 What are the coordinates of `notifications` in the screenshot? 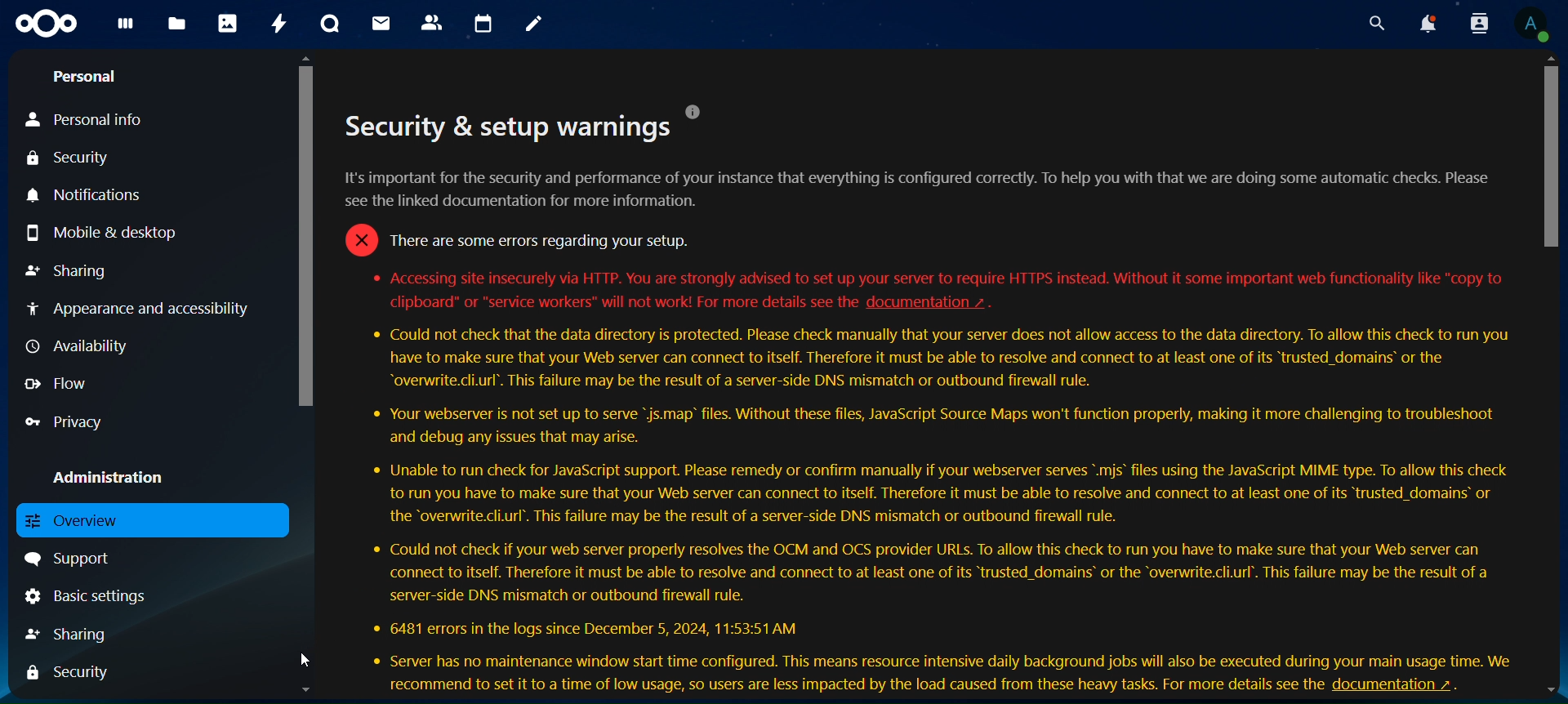 It's located at (1423, 25).